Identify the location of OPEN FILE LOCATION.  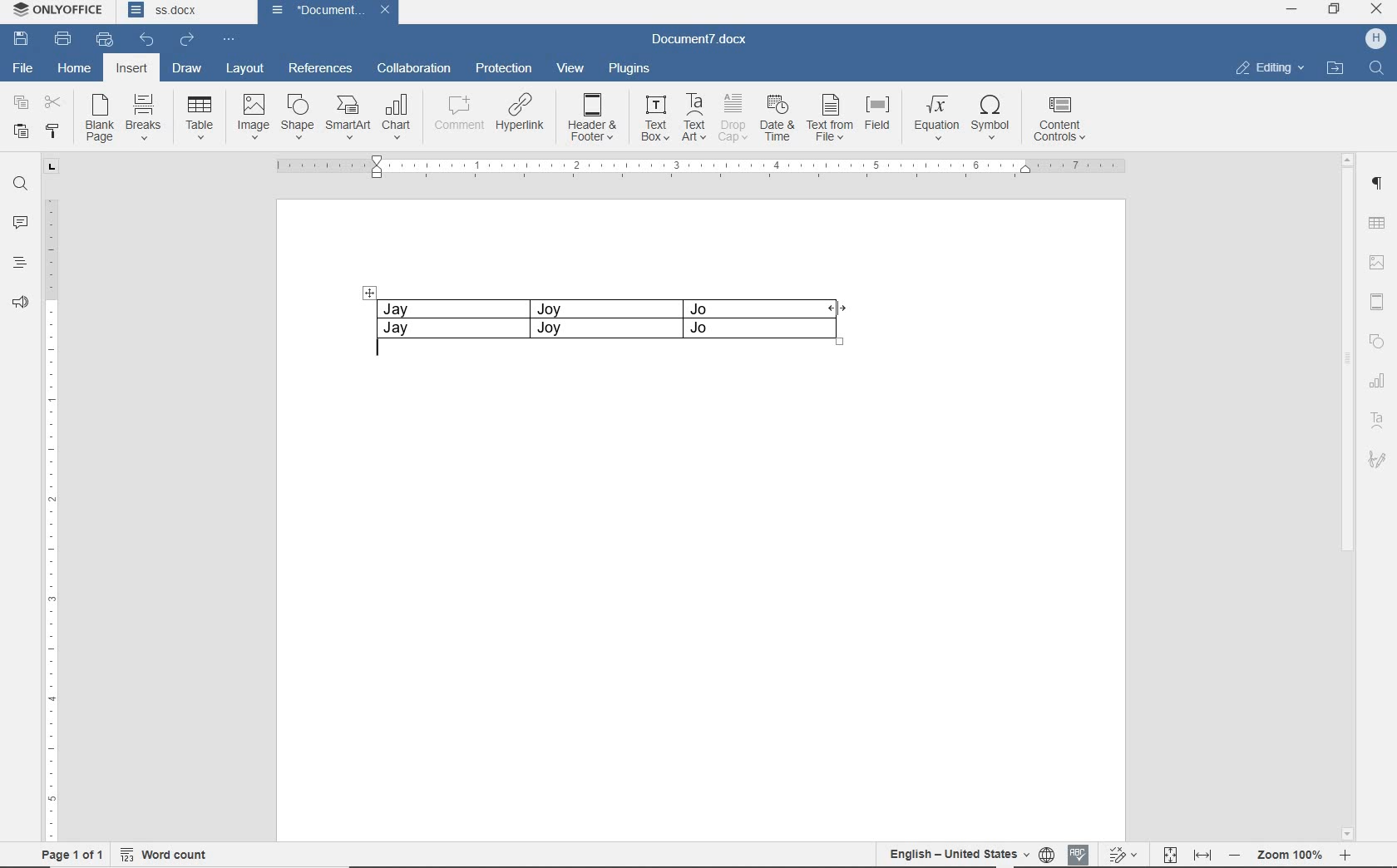
(1335, 72).